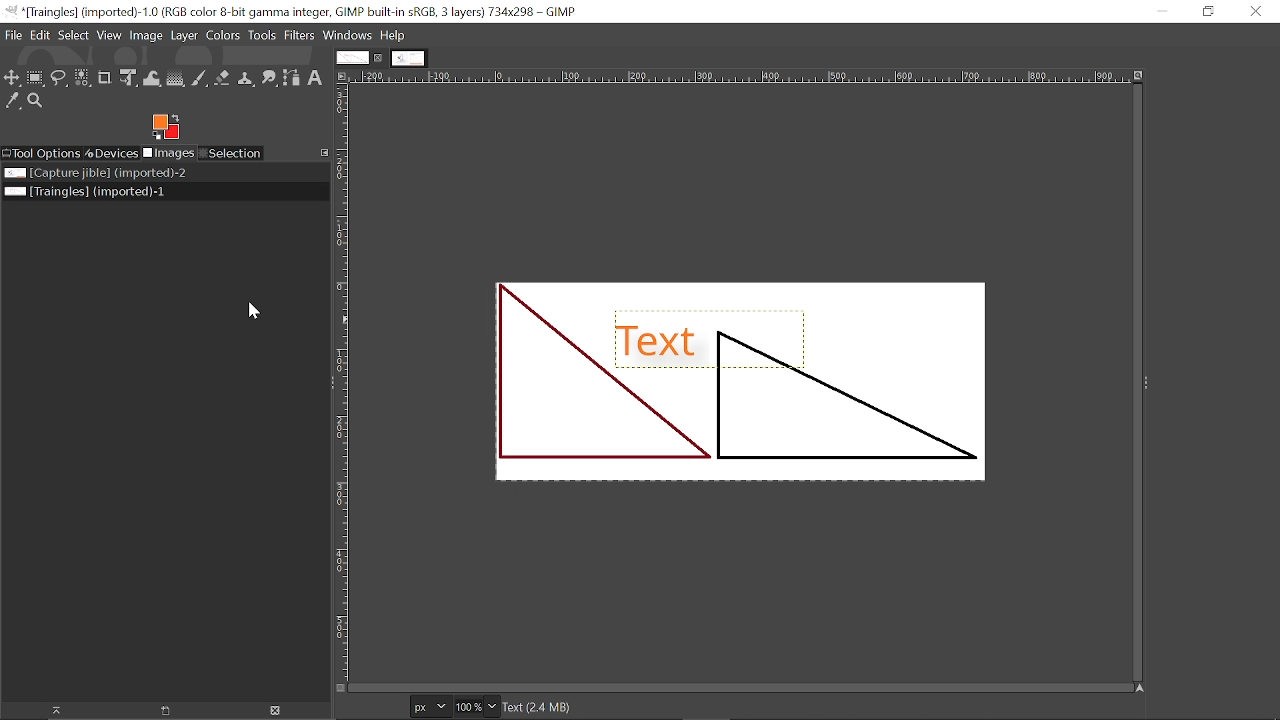 The image size is (1280, 720). Describe the element at coordinates (1210, 12) in the screenshot. I see `Restore down` at that location.